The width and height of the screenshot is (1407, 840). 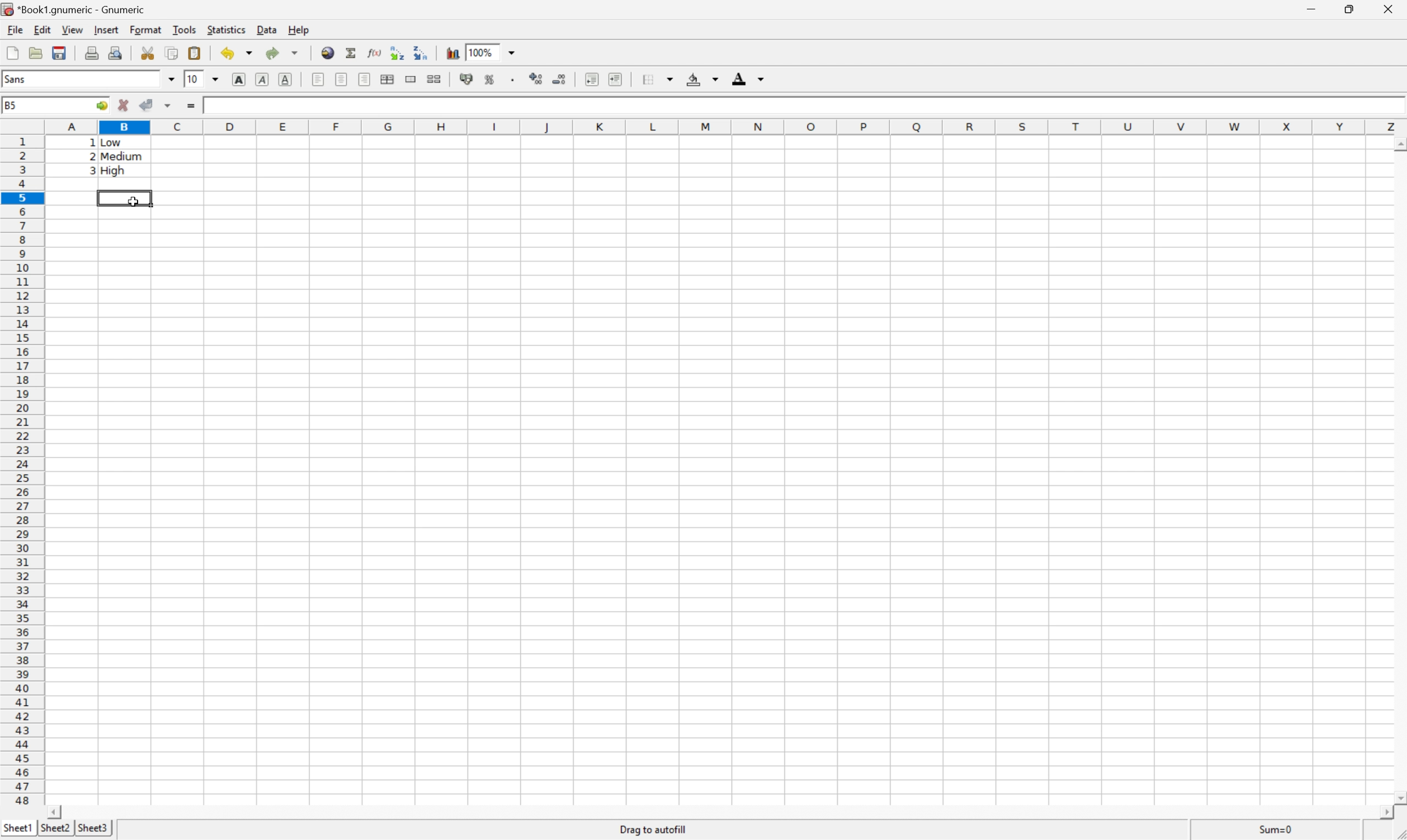 I want to click on High, so click(x=117, y=170).